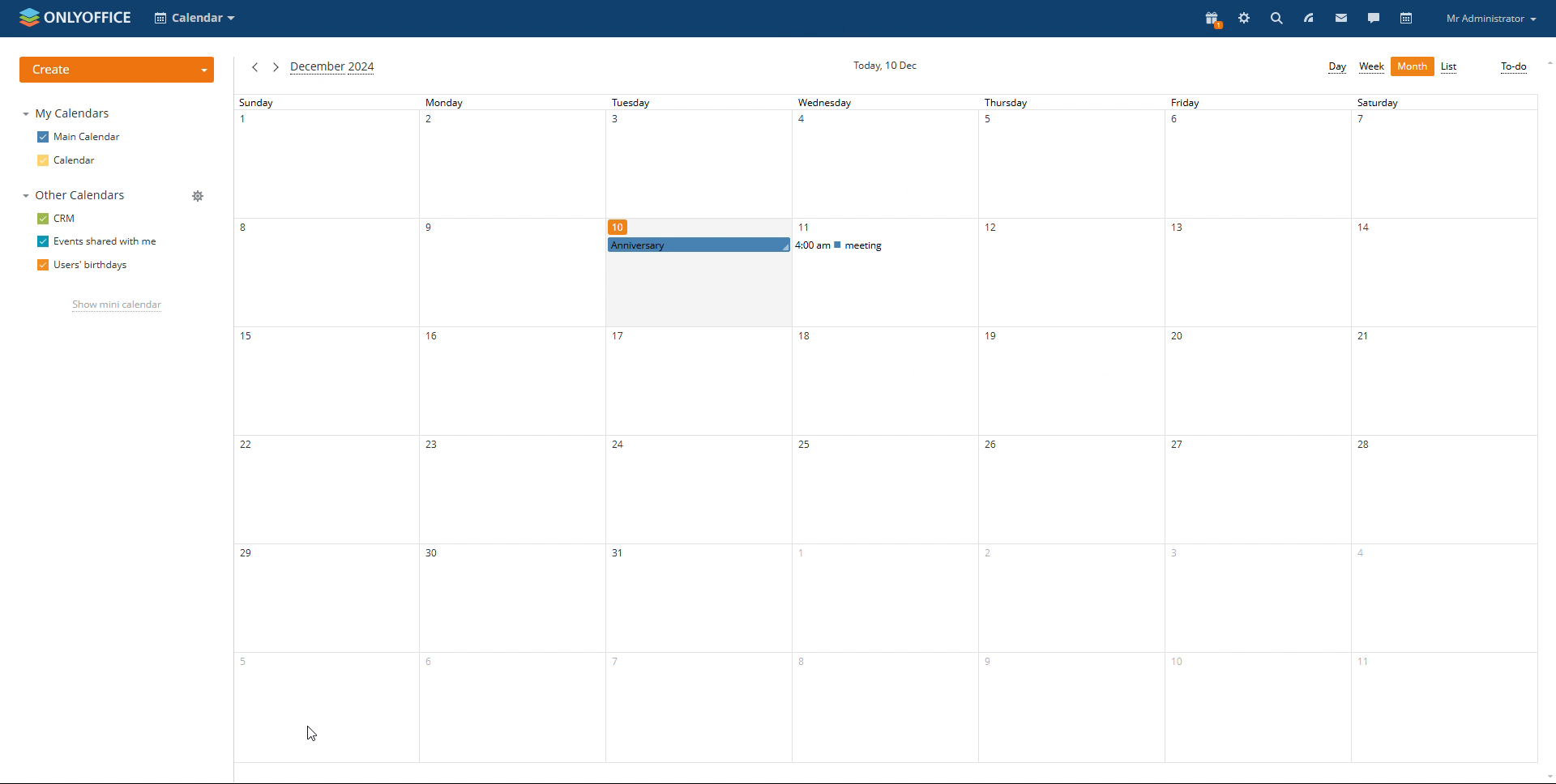 The image size is (1556, 784). Describe the element at coordinates (1546, 777) in the screenshot. I see `scroll down` at that location.